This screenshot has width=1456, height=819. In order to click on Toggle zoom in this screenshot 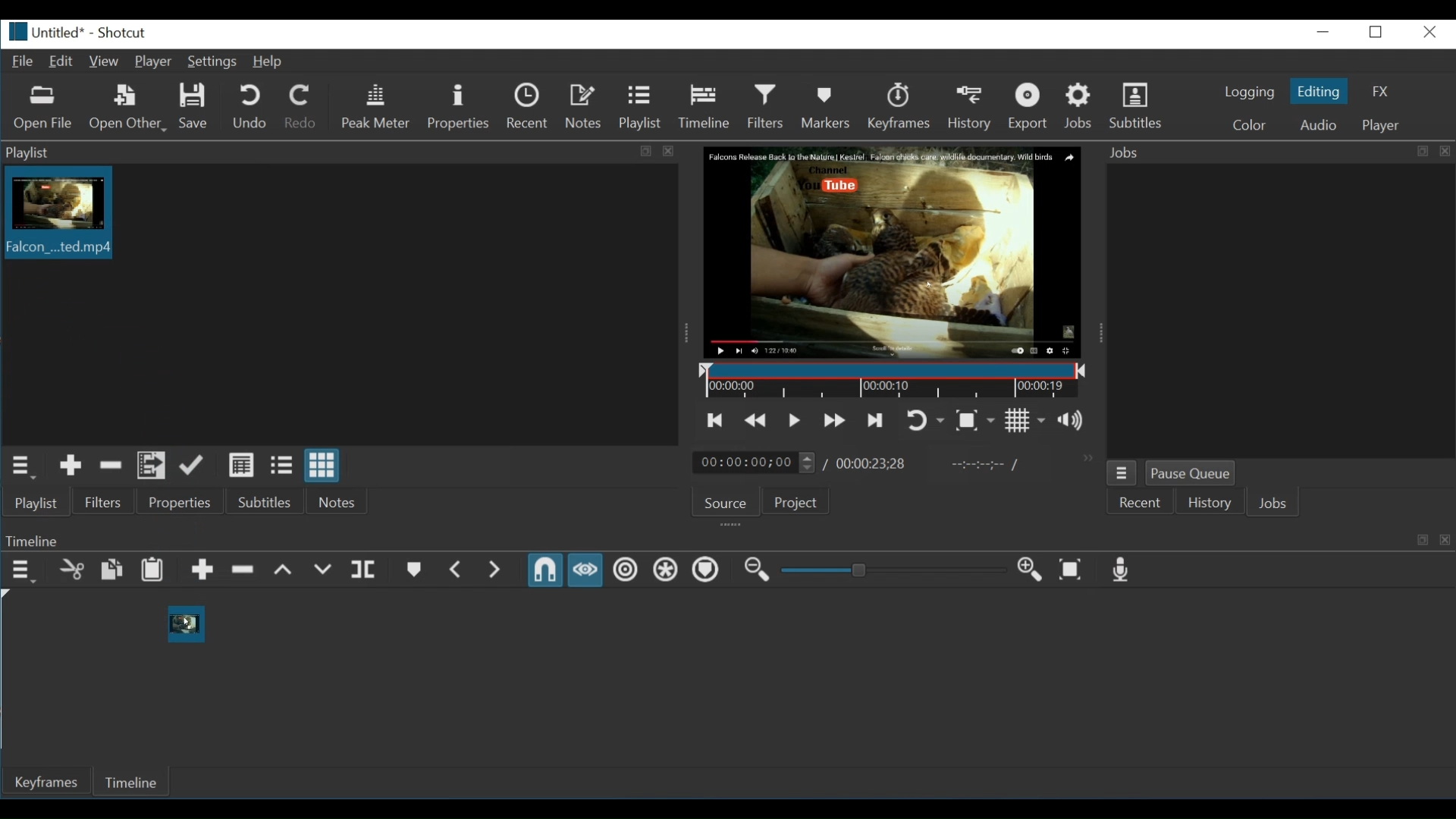, I will do `click(974, 421)`.